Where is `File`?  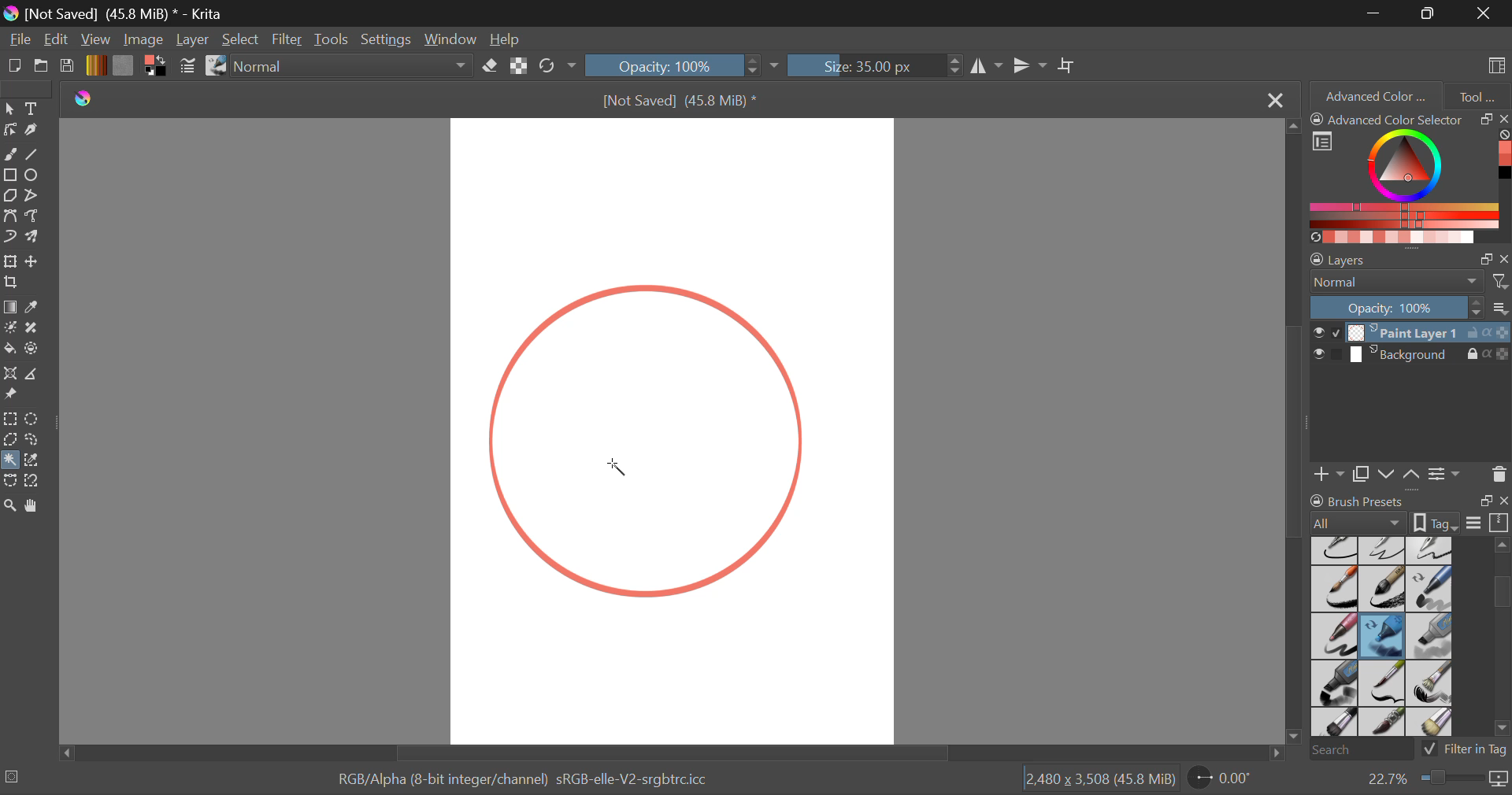 File is located at coordinates (20, 41).